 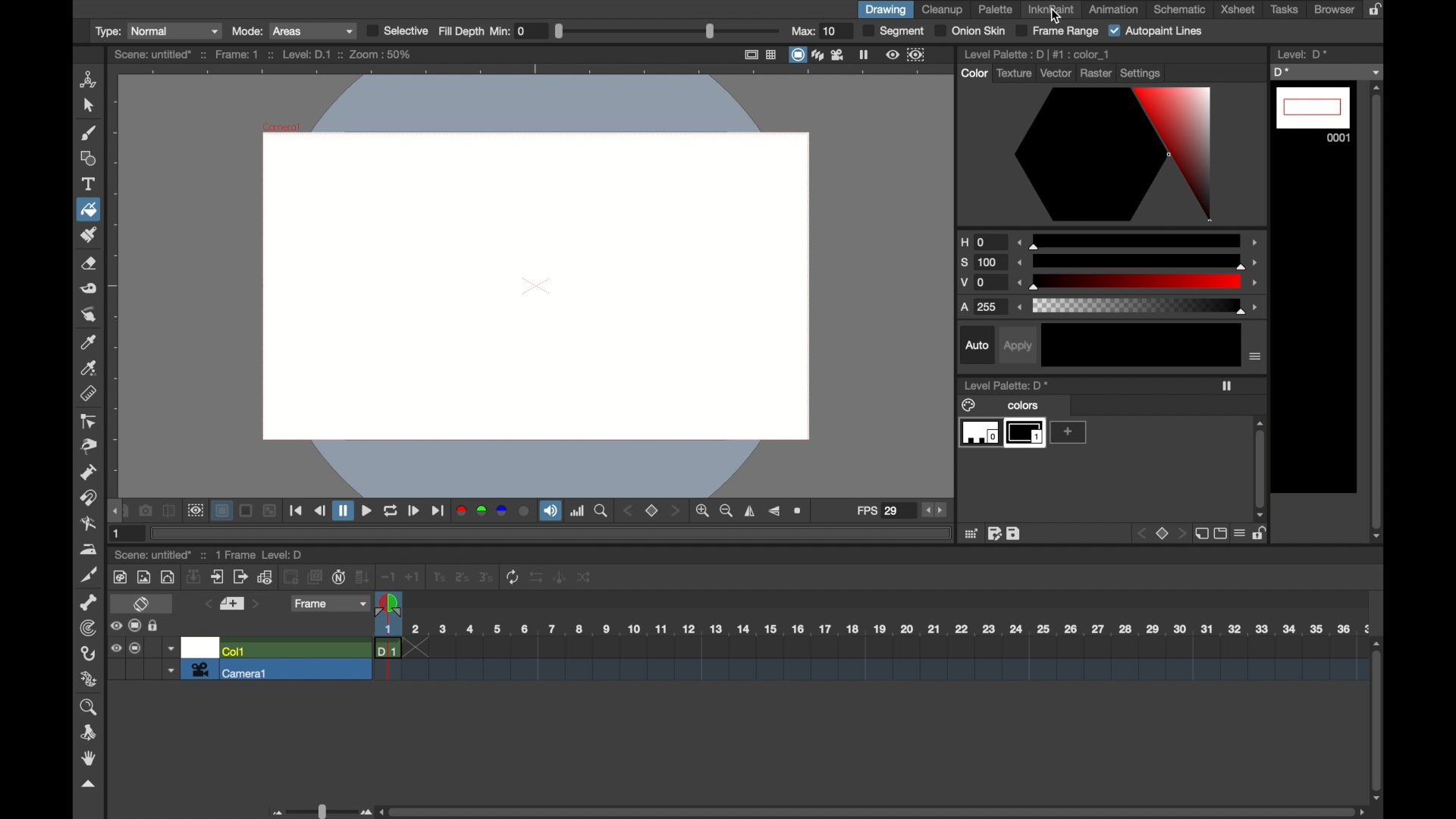 I want to click on zoom in, so click(x=704, y=512).